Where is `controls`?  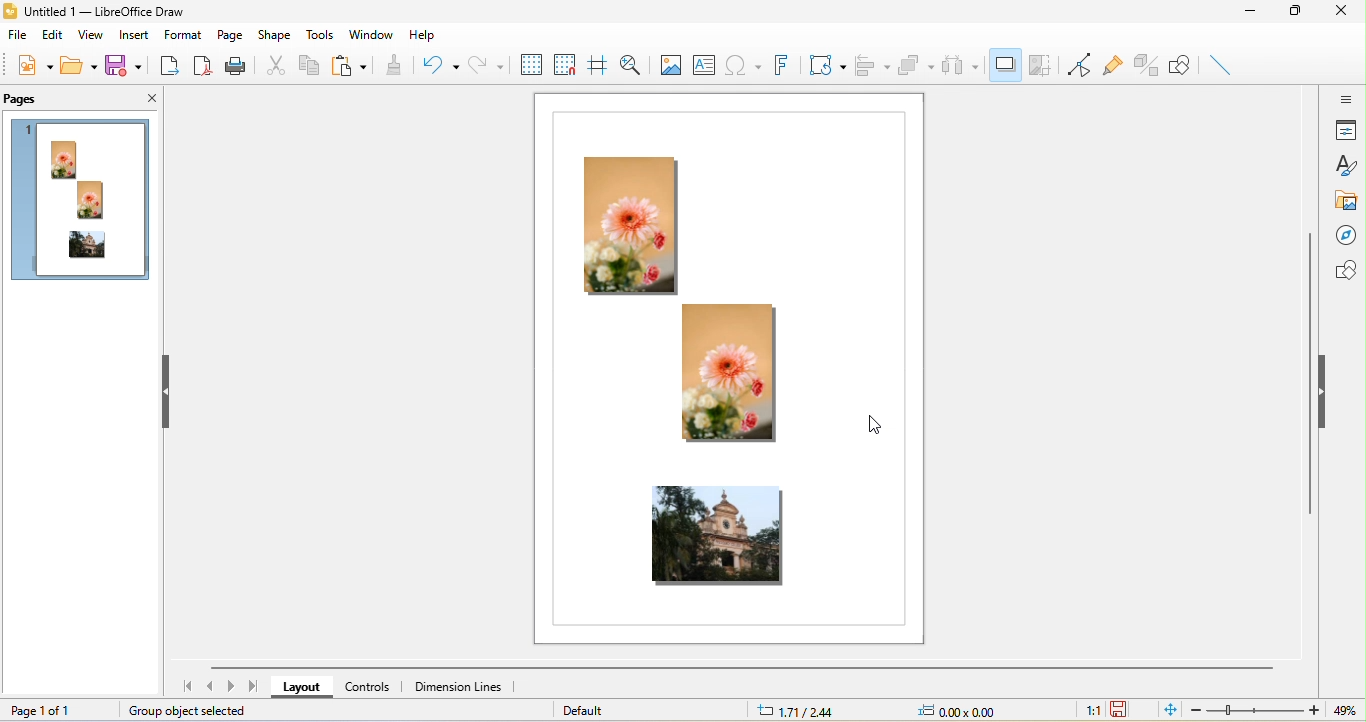
controls is located at coordinates (374, 689).